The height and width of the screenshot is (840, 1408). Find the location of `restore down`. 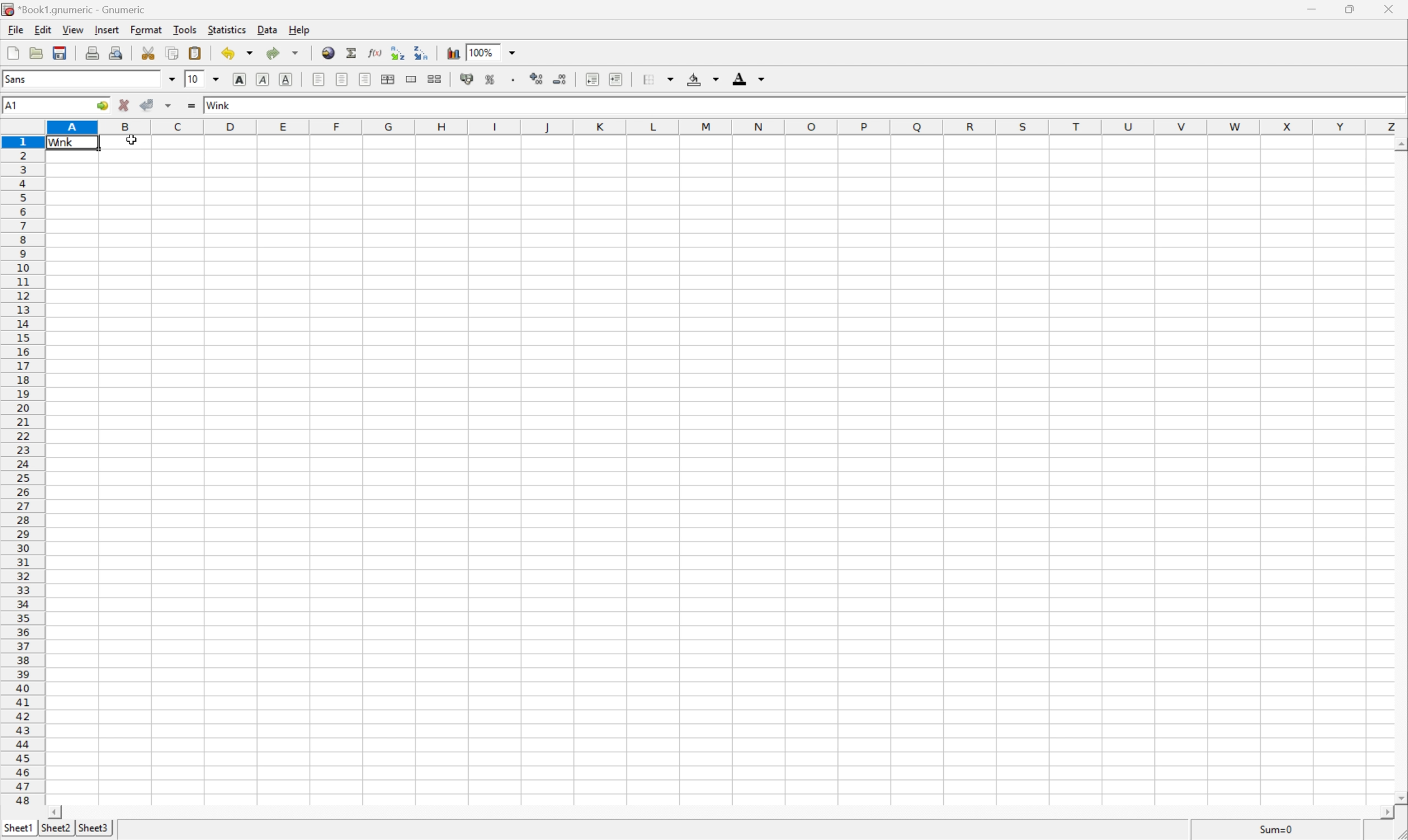

restore down is located at coordinates (1352, 10).